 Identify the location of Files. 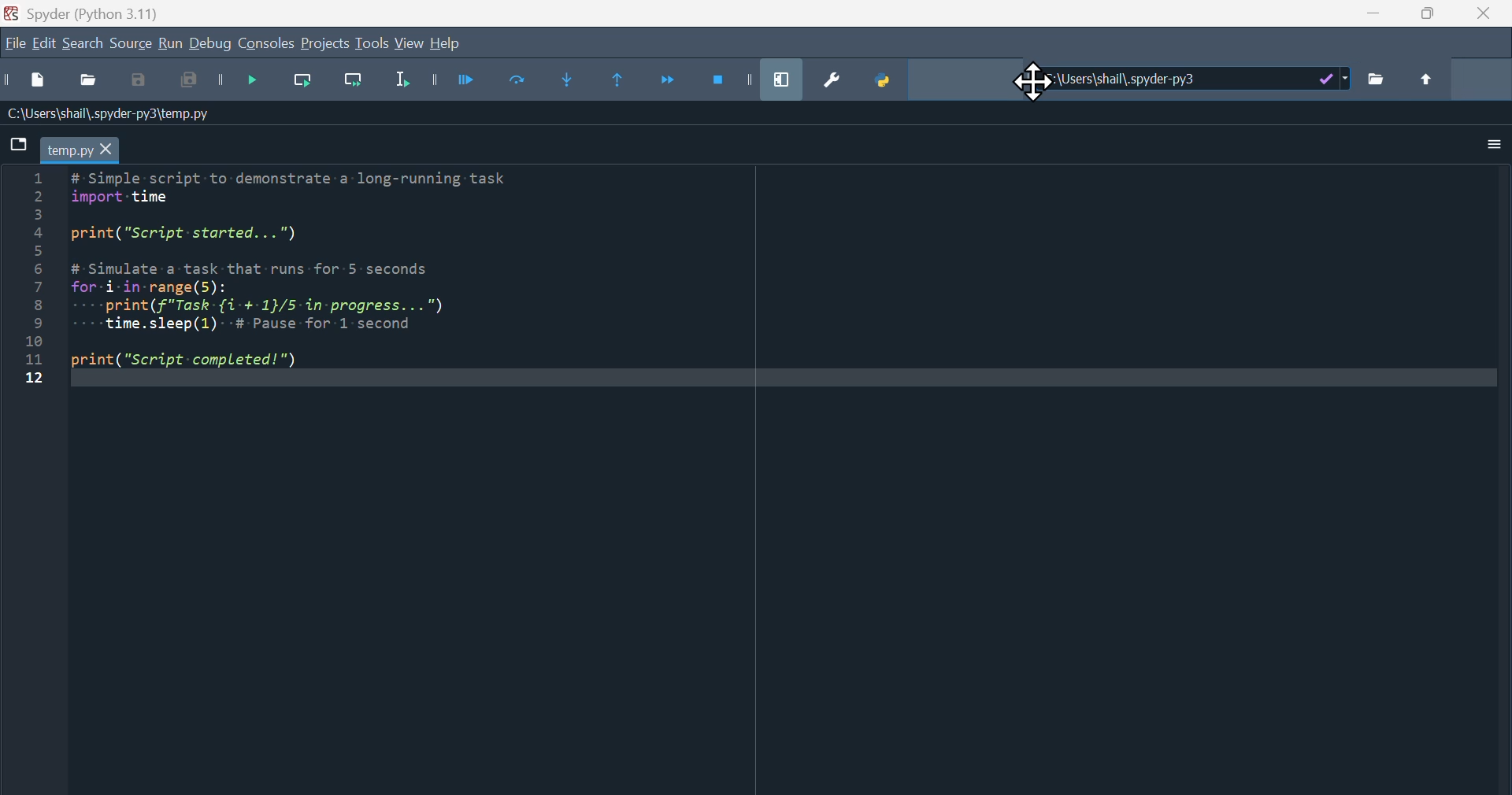
(1387, 81).